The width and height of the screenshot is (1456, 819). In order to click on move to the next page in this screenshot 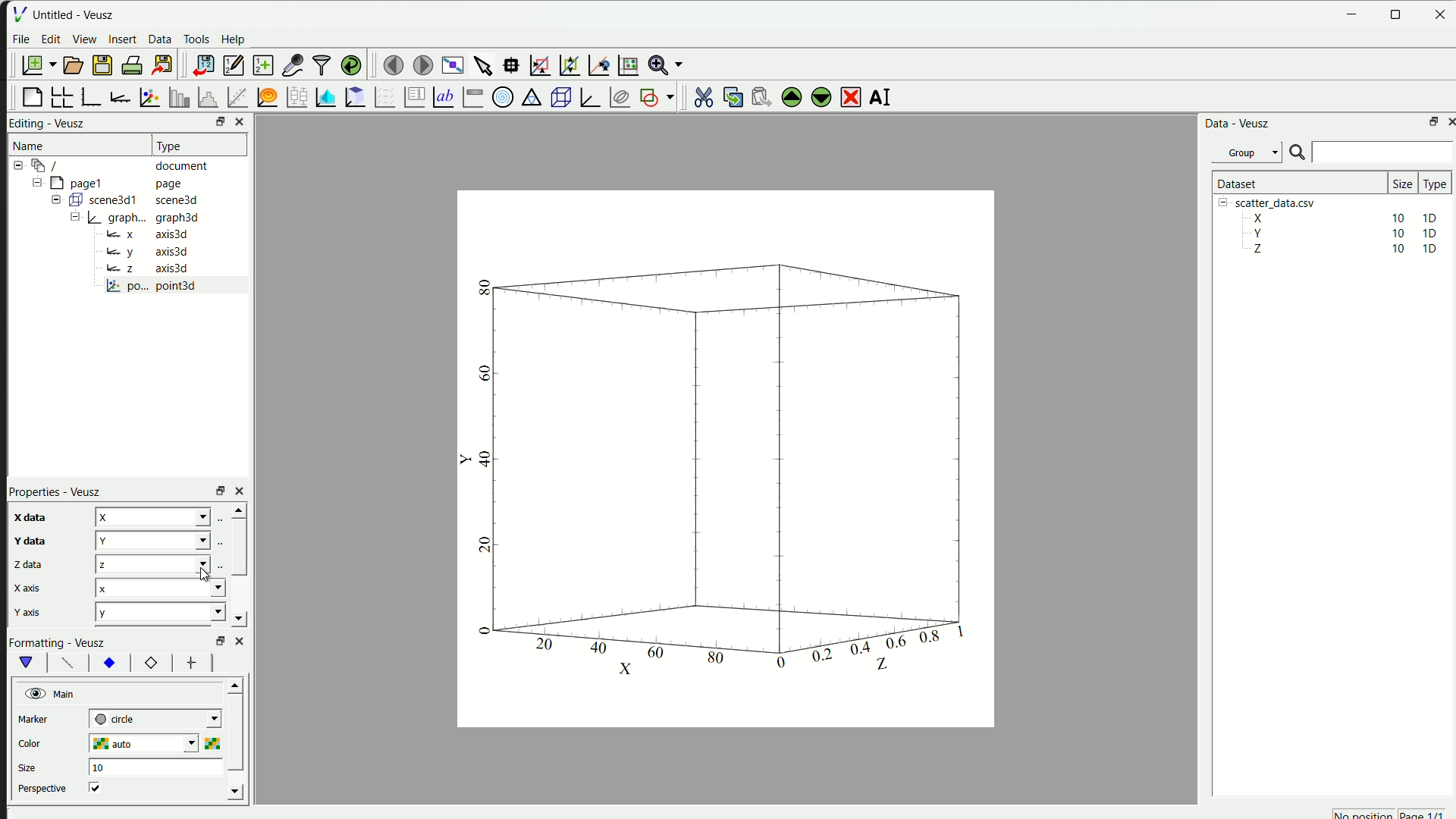, I will do `click(420, 64)`.